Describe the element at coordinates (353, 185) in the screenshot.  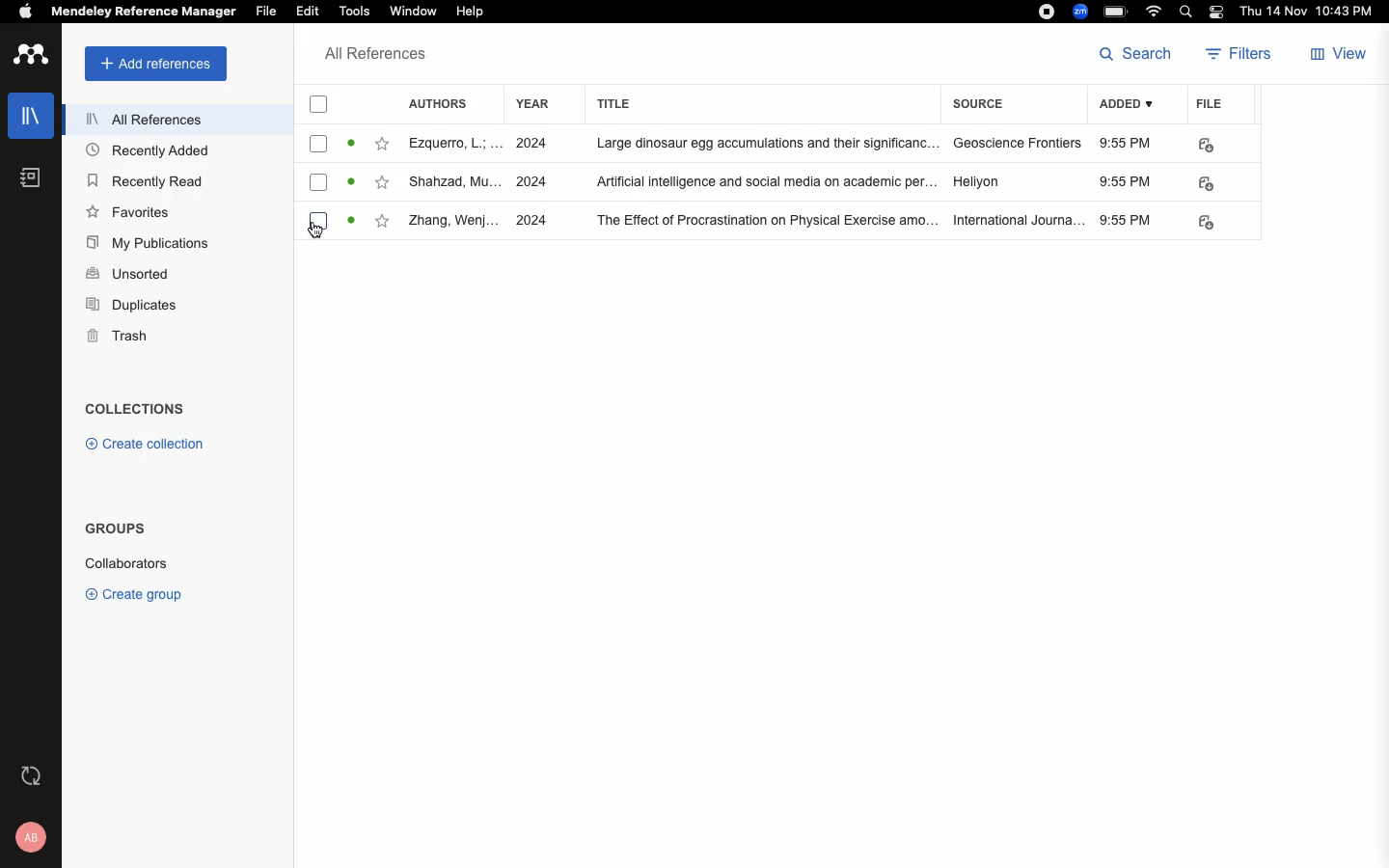
I see `read` at that location.